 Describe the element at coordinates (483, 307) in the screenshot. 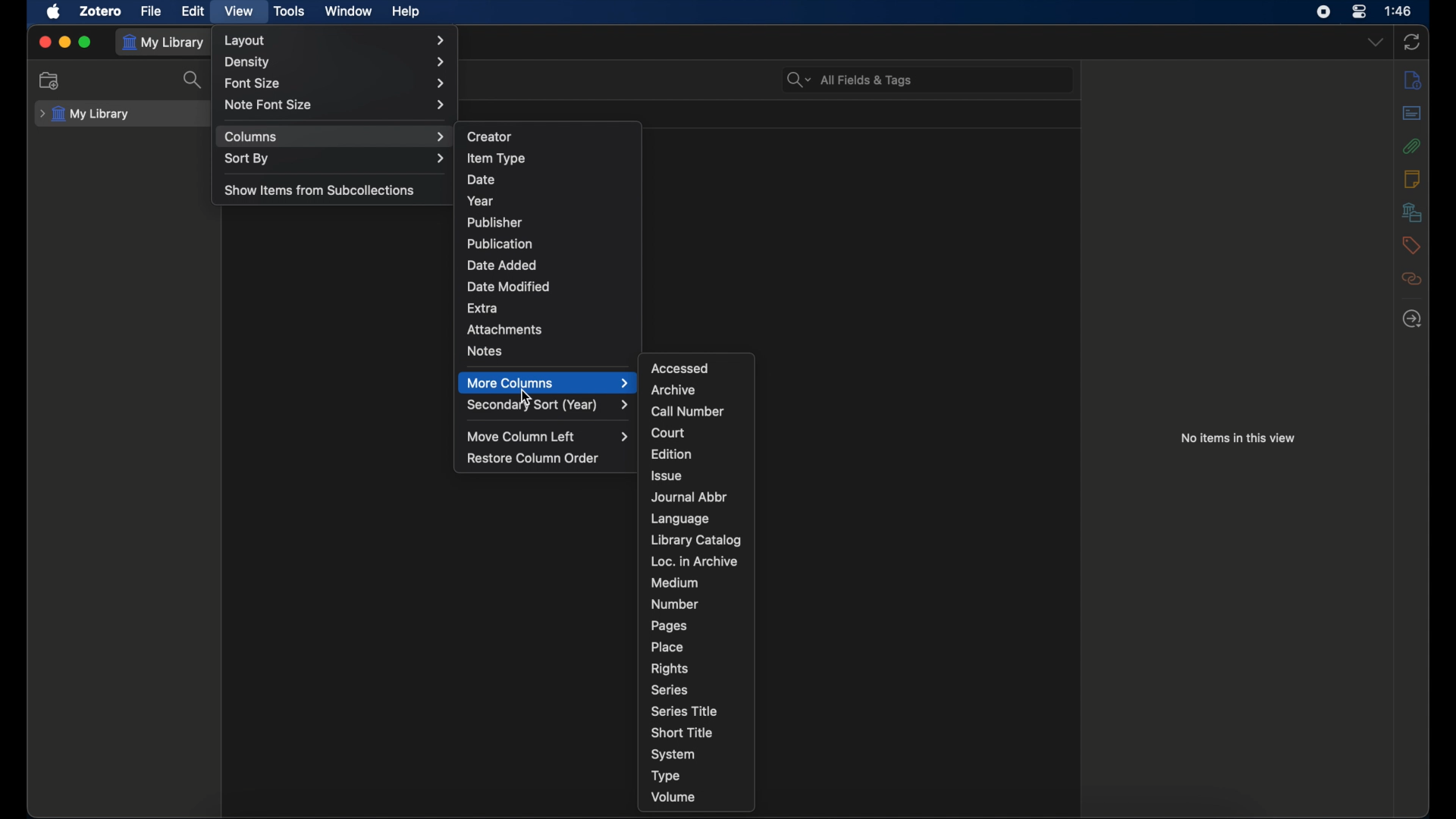

I see `extra` at that location.